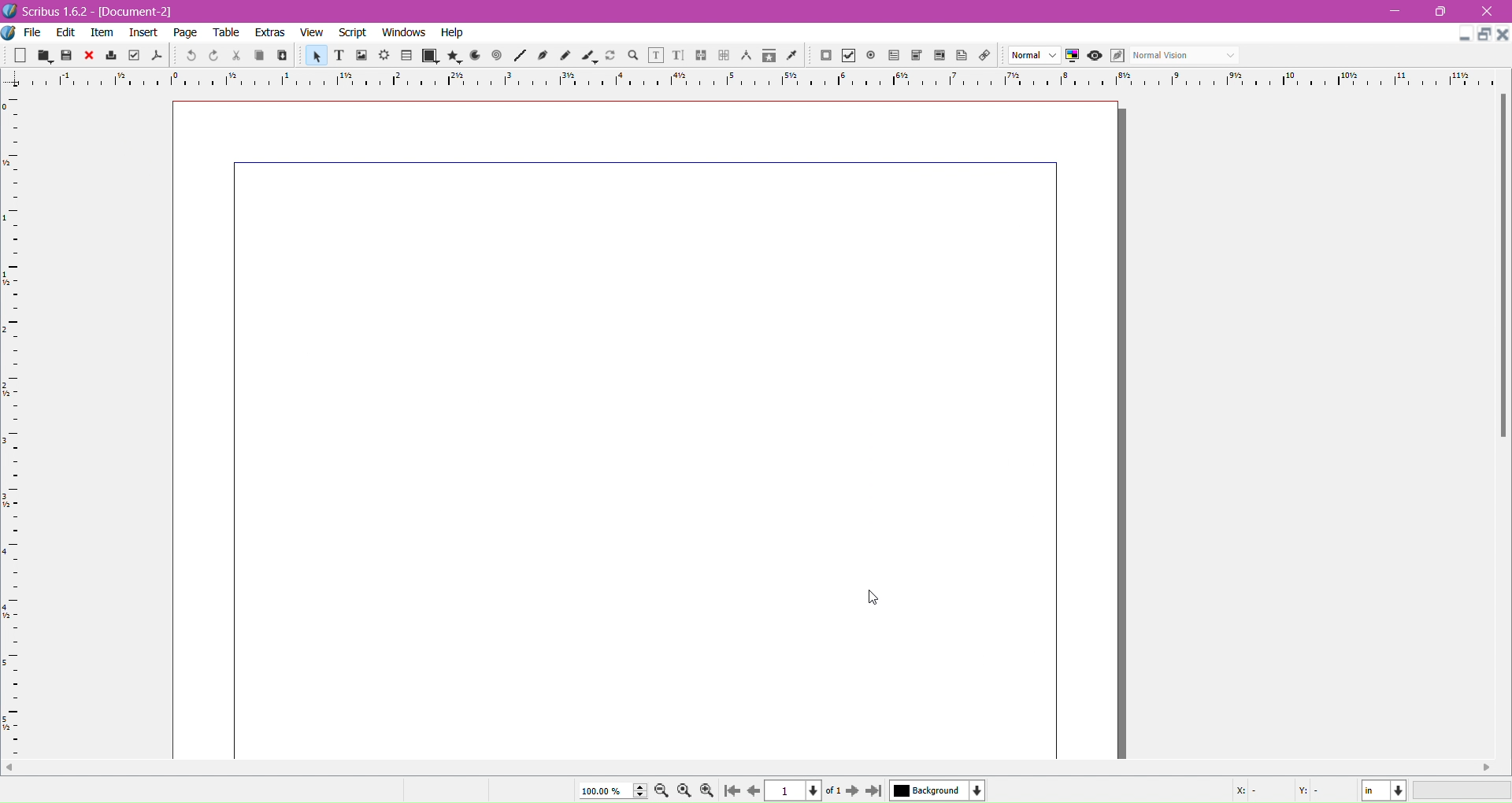  Describe the element at coordinates (685, 790) in the screenshot. I see `zoom icon` at that location.